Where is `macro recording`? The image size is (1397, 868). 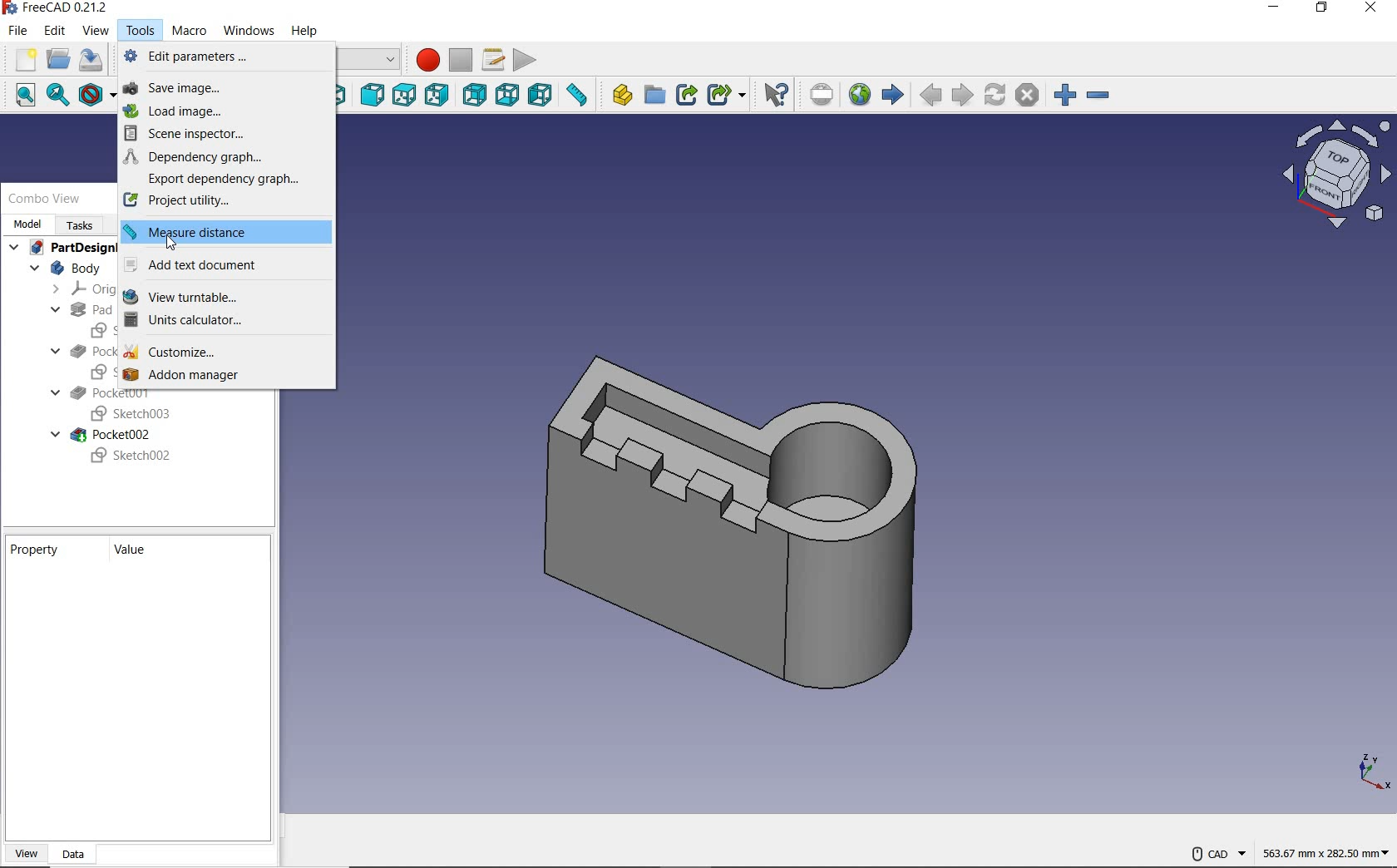
macro recording is located at coordinates (423, 60).